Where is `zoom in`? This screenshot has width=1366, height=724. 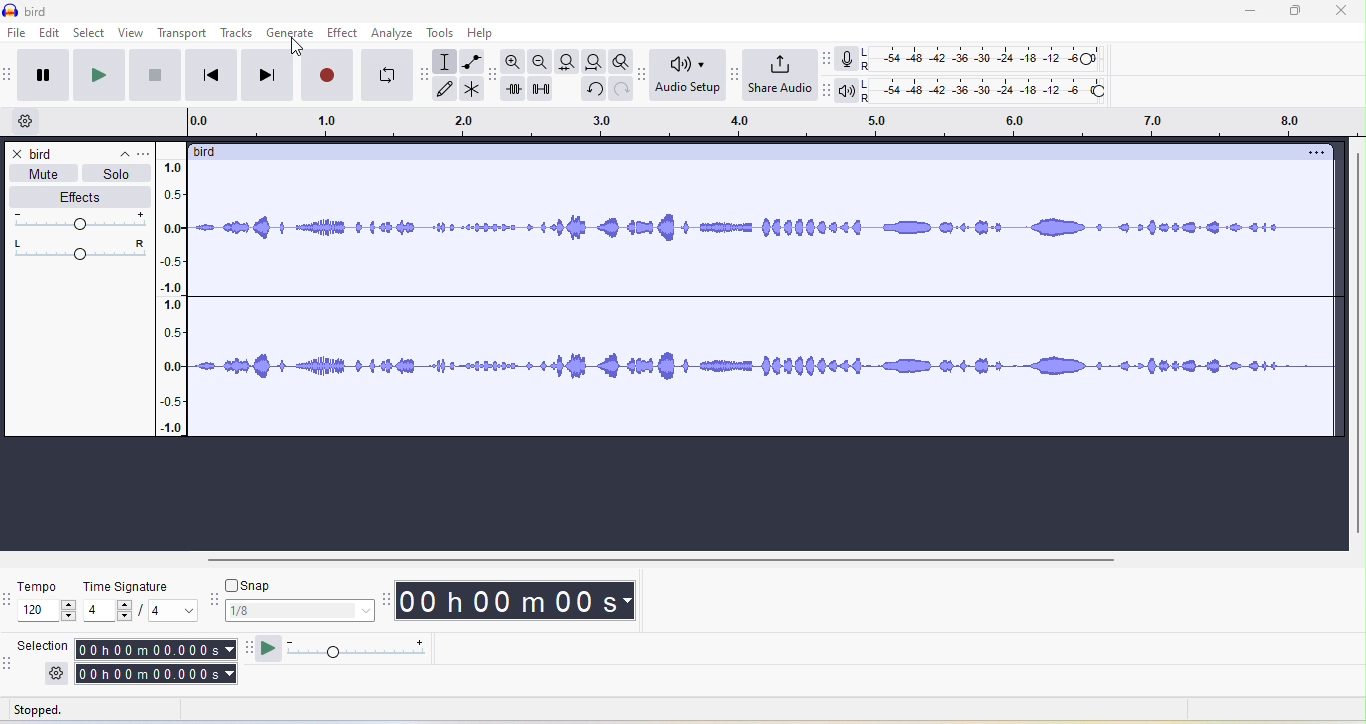
zoom in is located at coordinates (513, 62).